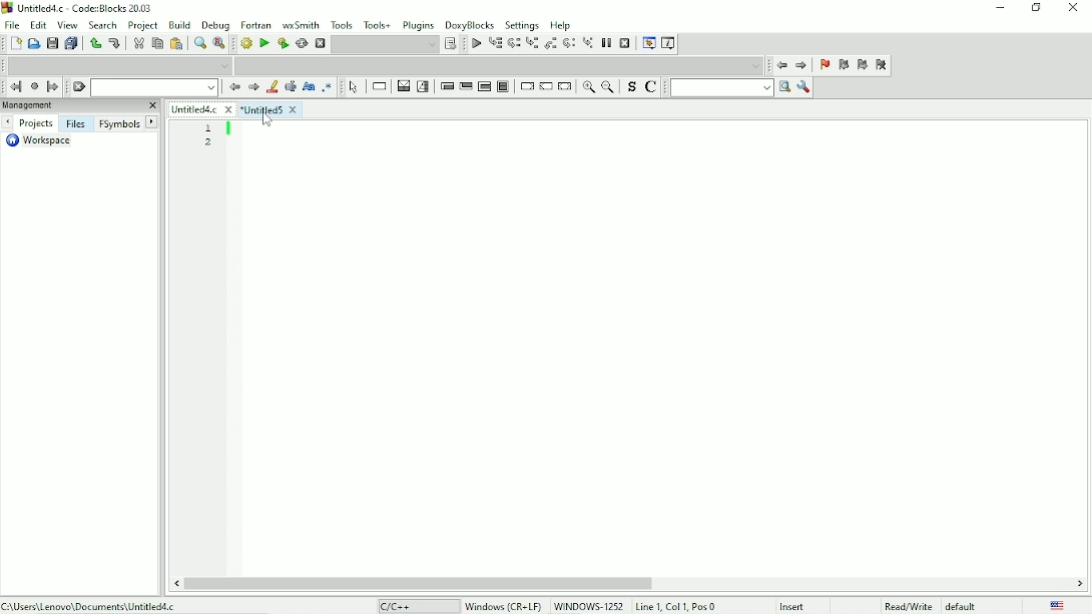 This screenshot has height=614, width=1092. Describe the element at coordinates (469, 24) in the screenshot. I see `DoxyBlocks` at that location.